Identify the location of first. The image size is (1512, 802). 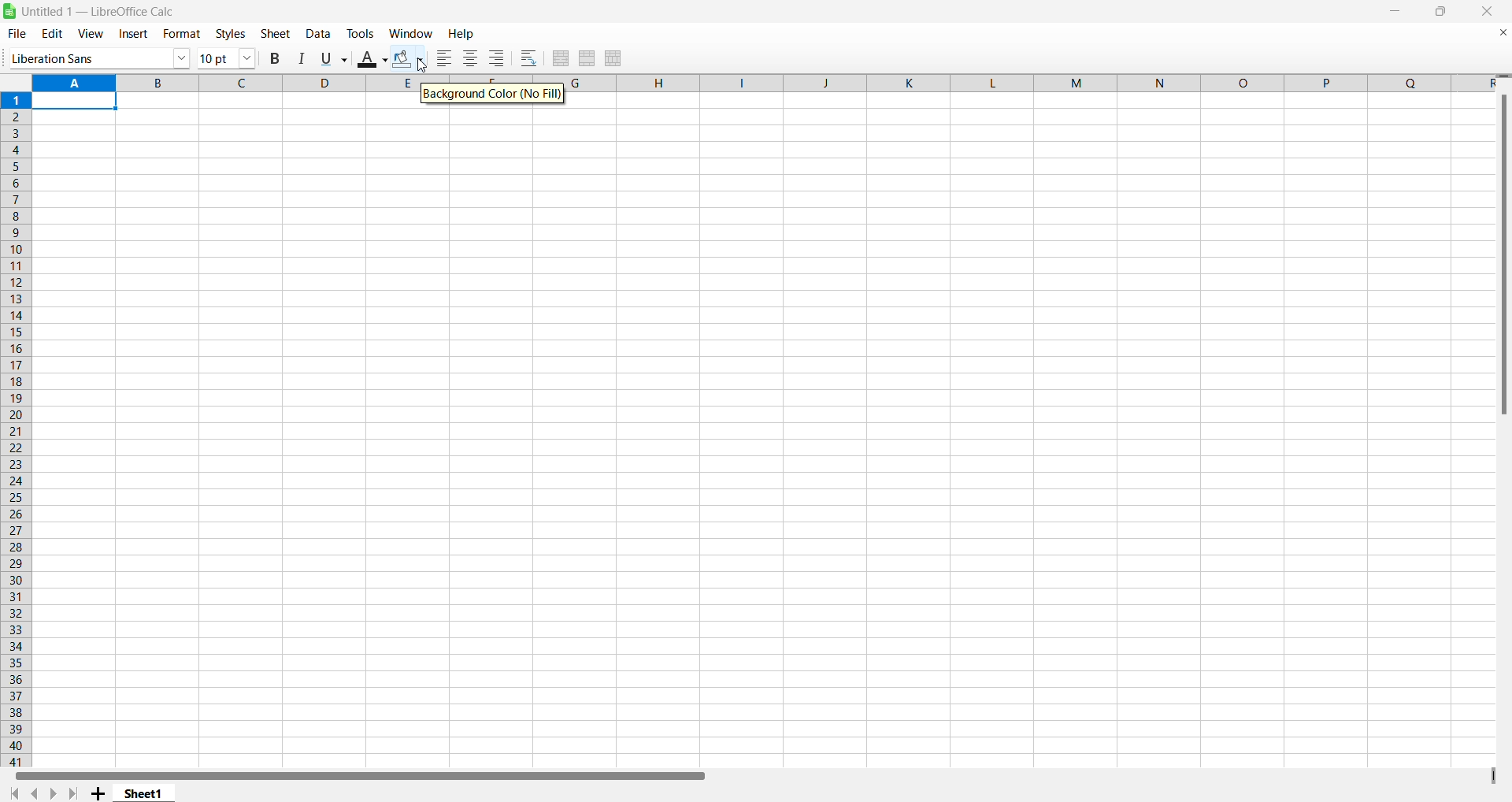
(12, 792).